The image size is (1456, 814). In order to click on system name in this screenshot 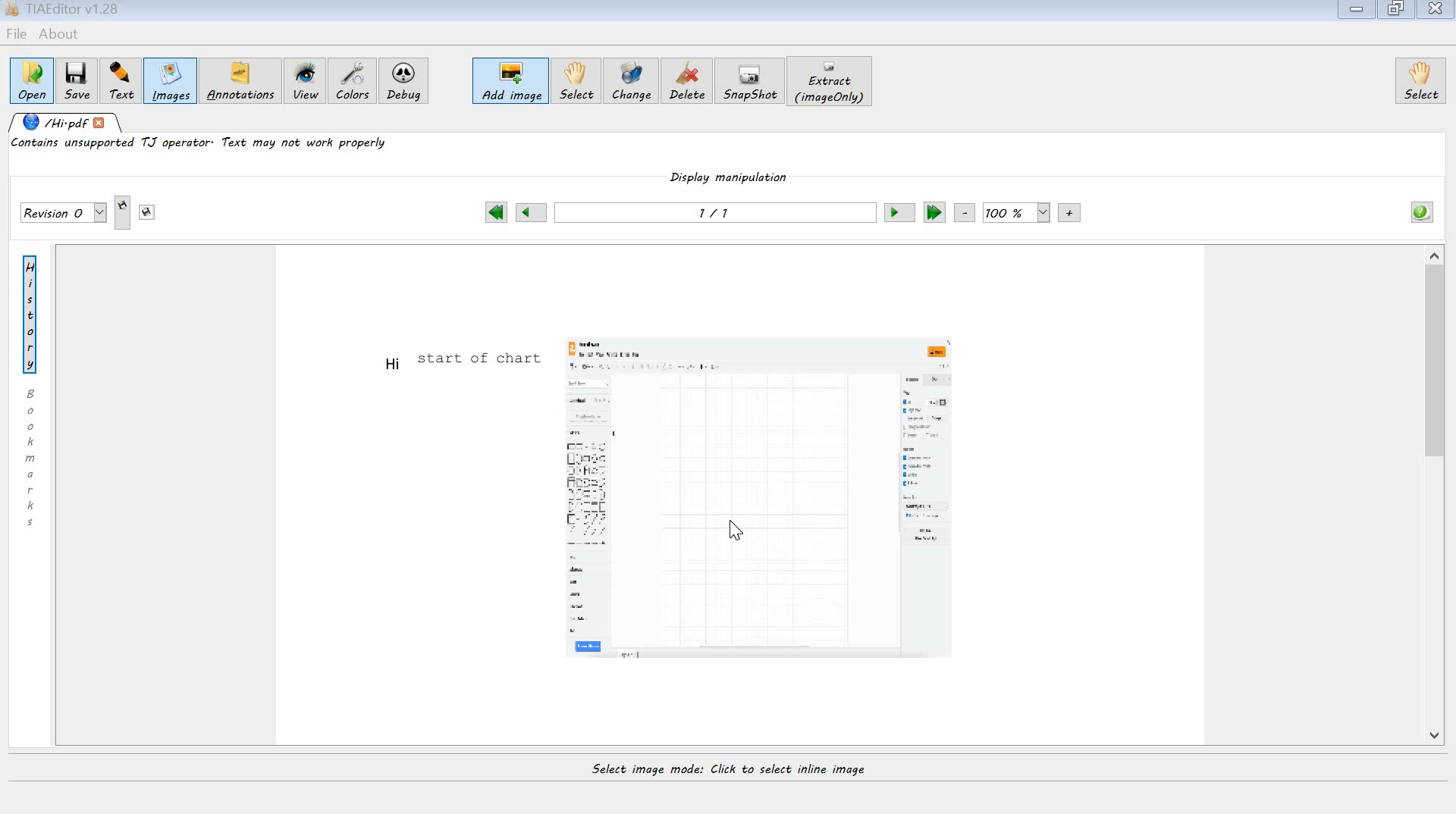, I will do `click(63, 11)`.